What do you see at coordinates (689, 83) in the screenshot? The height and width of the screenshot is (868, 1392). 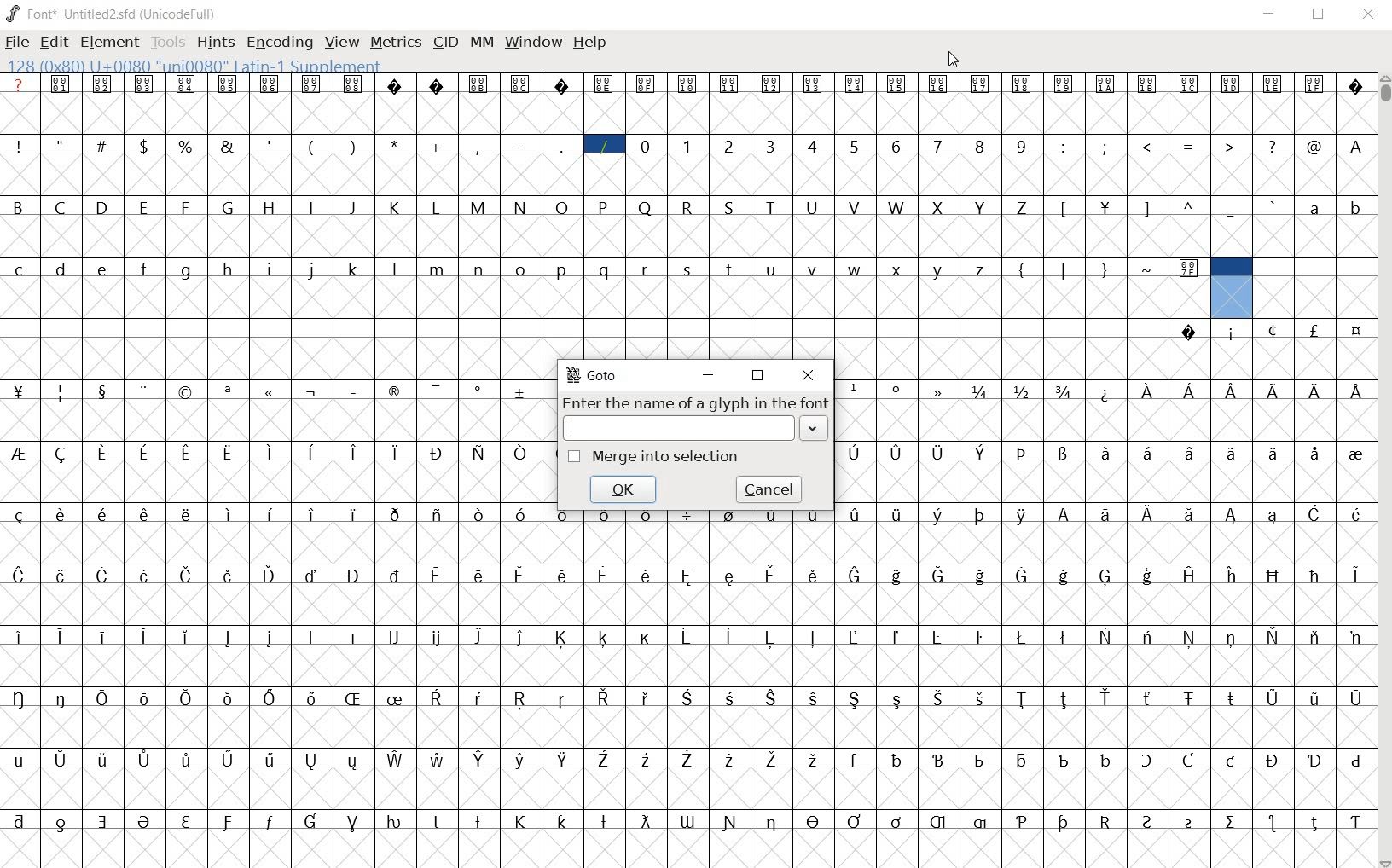 I see `Symbol` at bounding box center [689, 83].